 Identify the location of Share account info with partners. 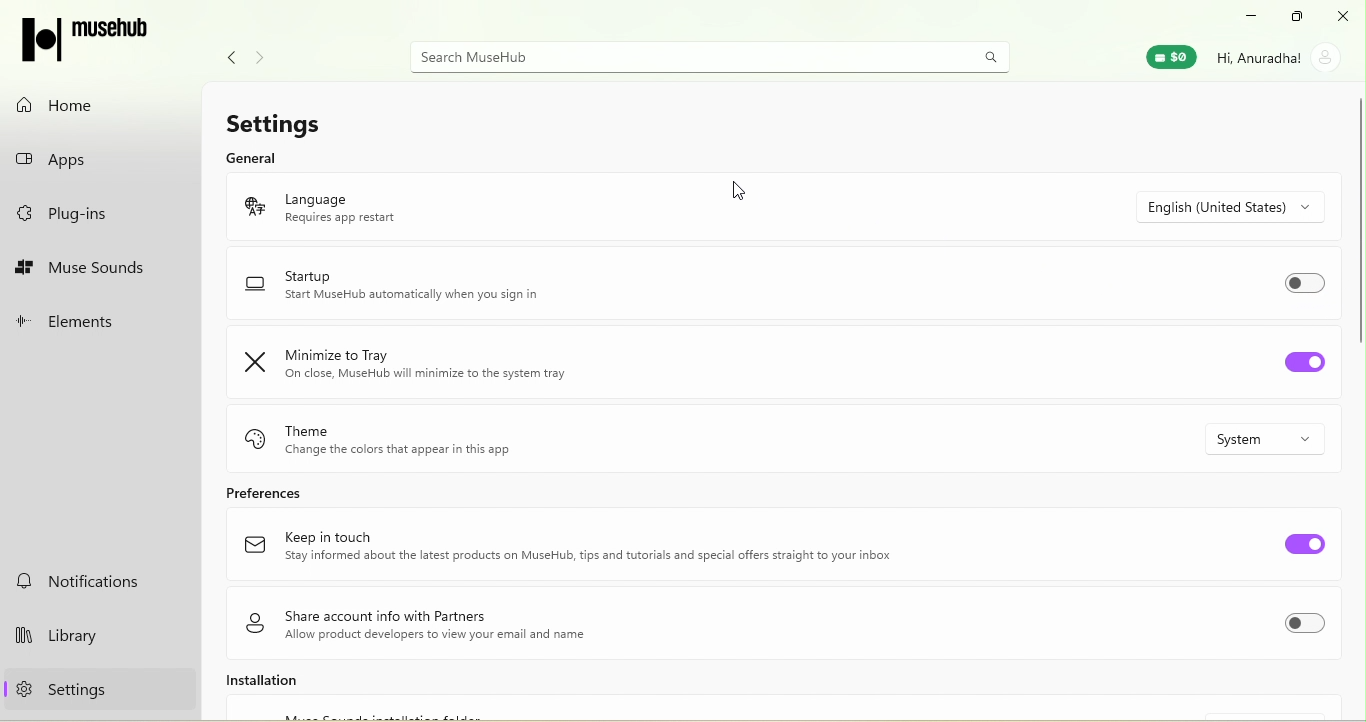
(429, 623).